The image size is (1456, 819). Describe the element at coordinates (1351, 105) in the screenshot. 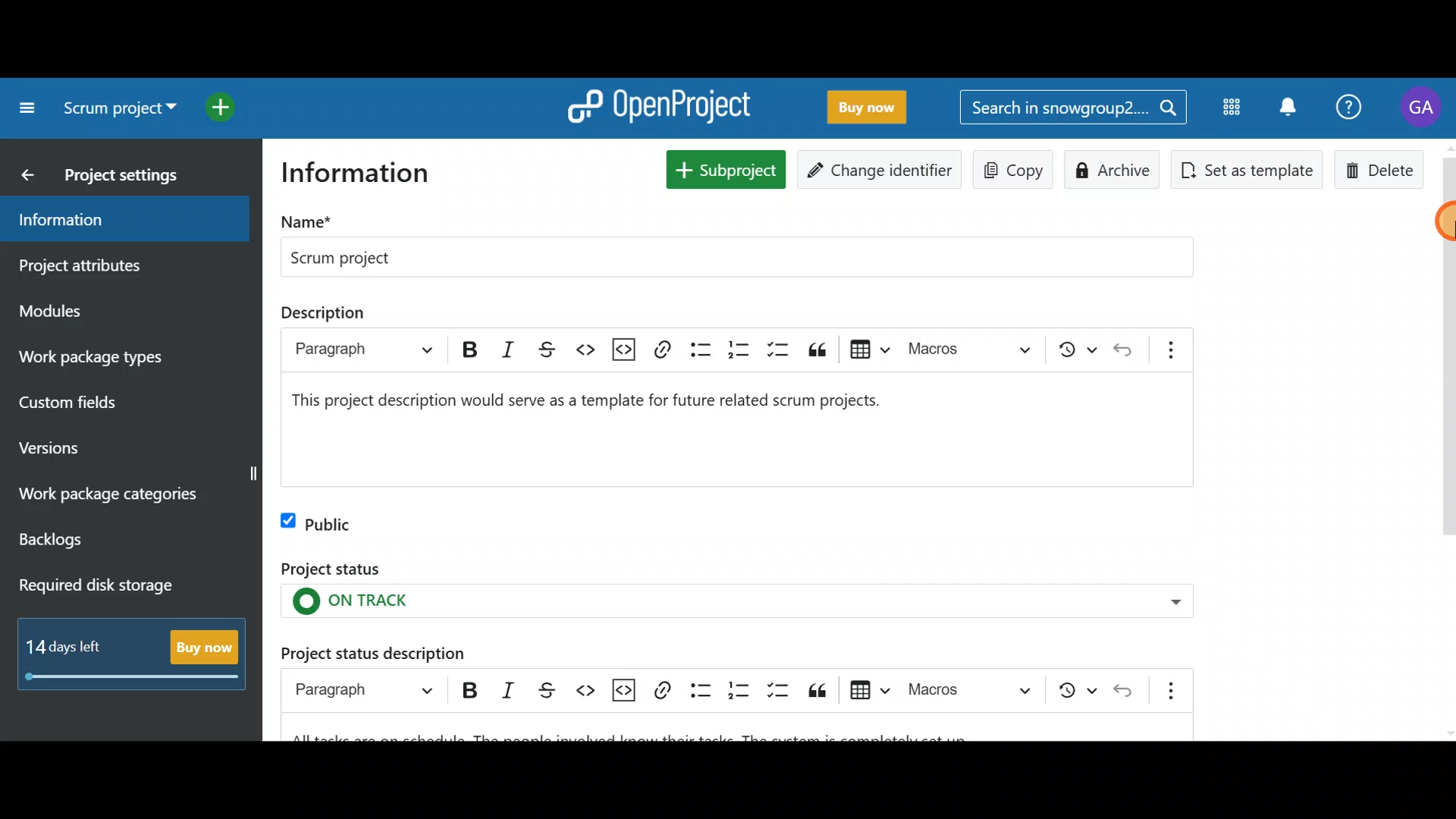

I see `Help` at that location.